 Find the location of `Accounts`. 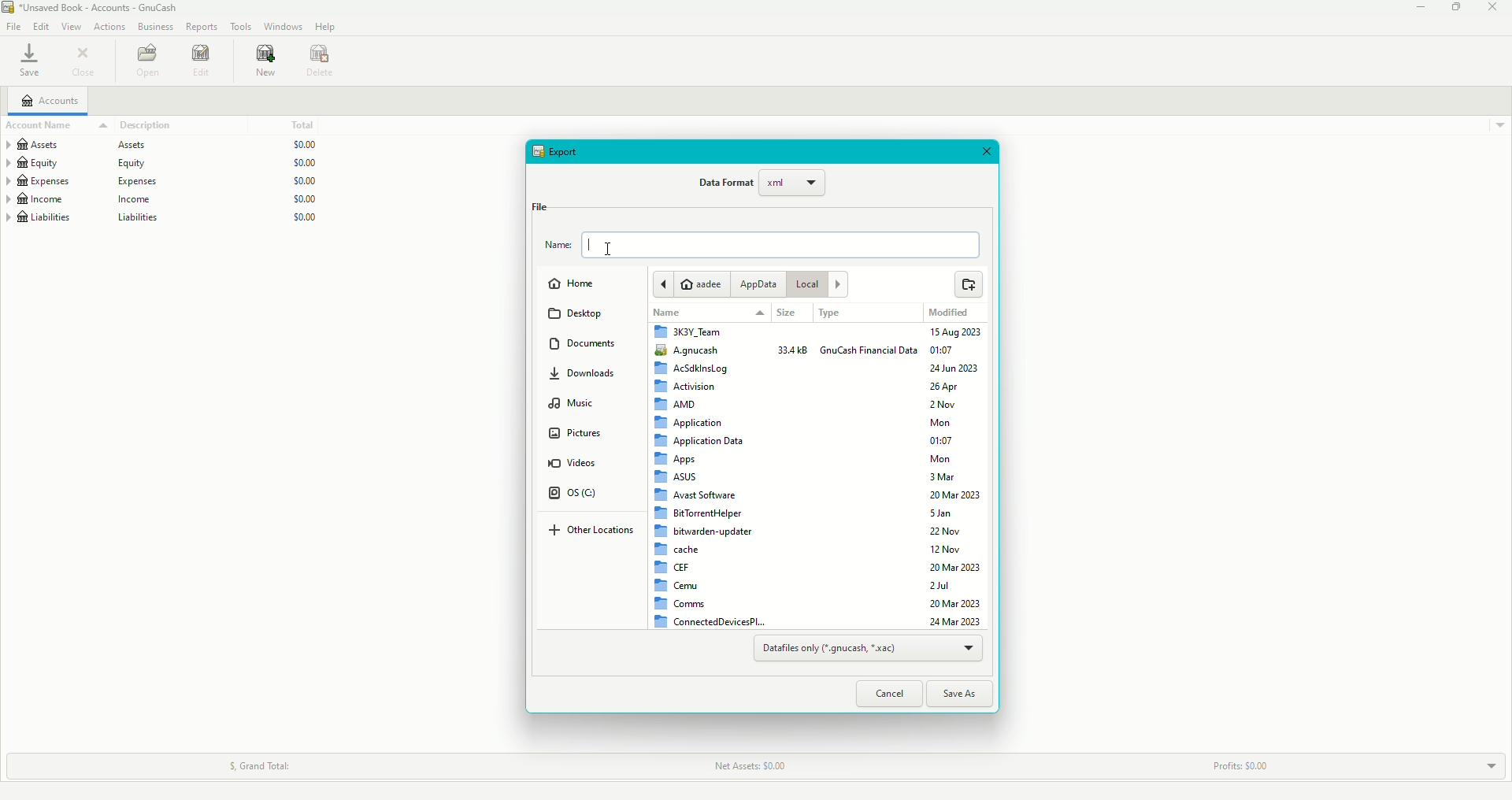

Accounts is located at coordinates (48, 102).